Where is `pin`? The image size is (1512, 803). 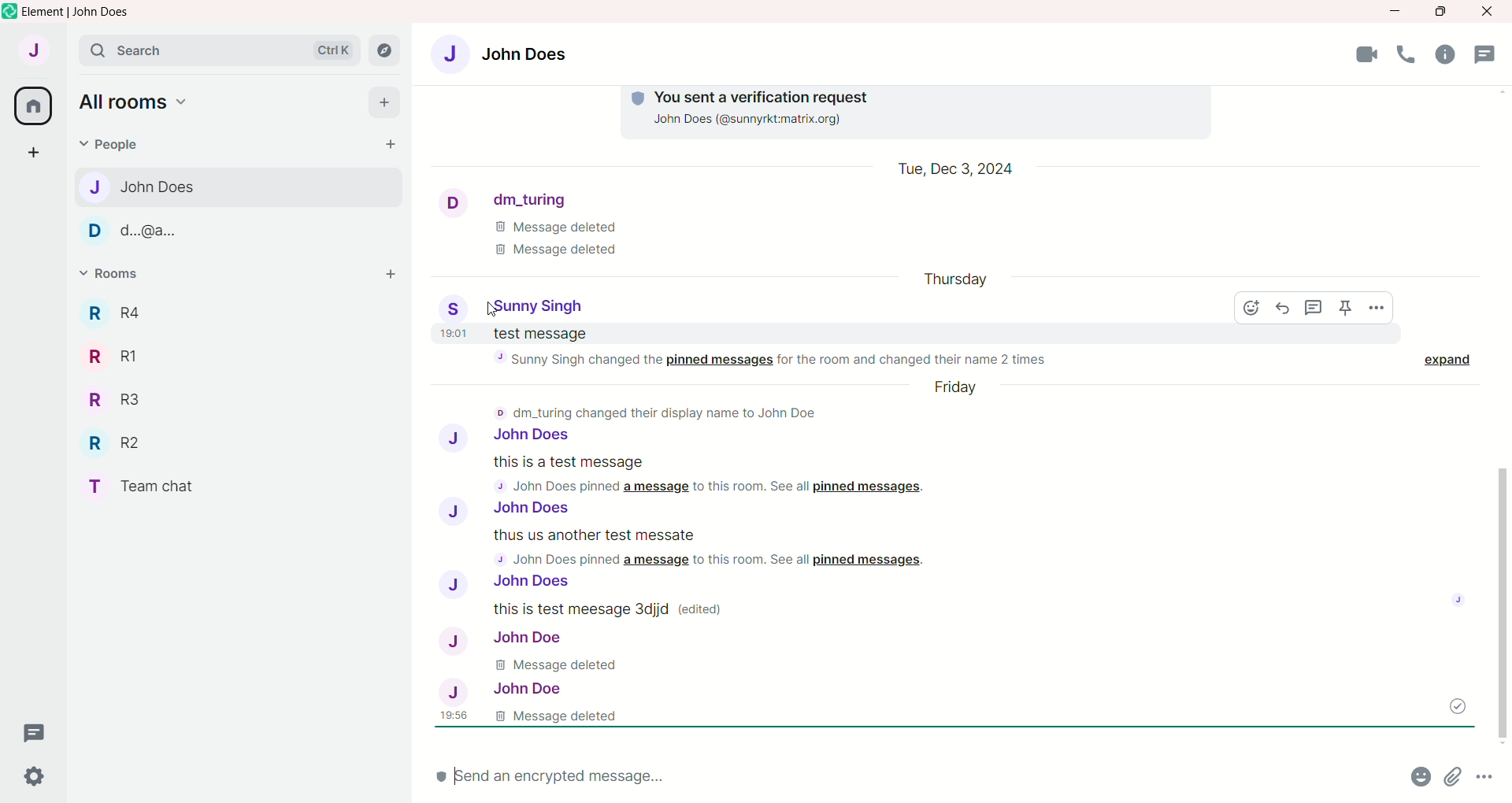
pin is located at coordinates (1345, 308).